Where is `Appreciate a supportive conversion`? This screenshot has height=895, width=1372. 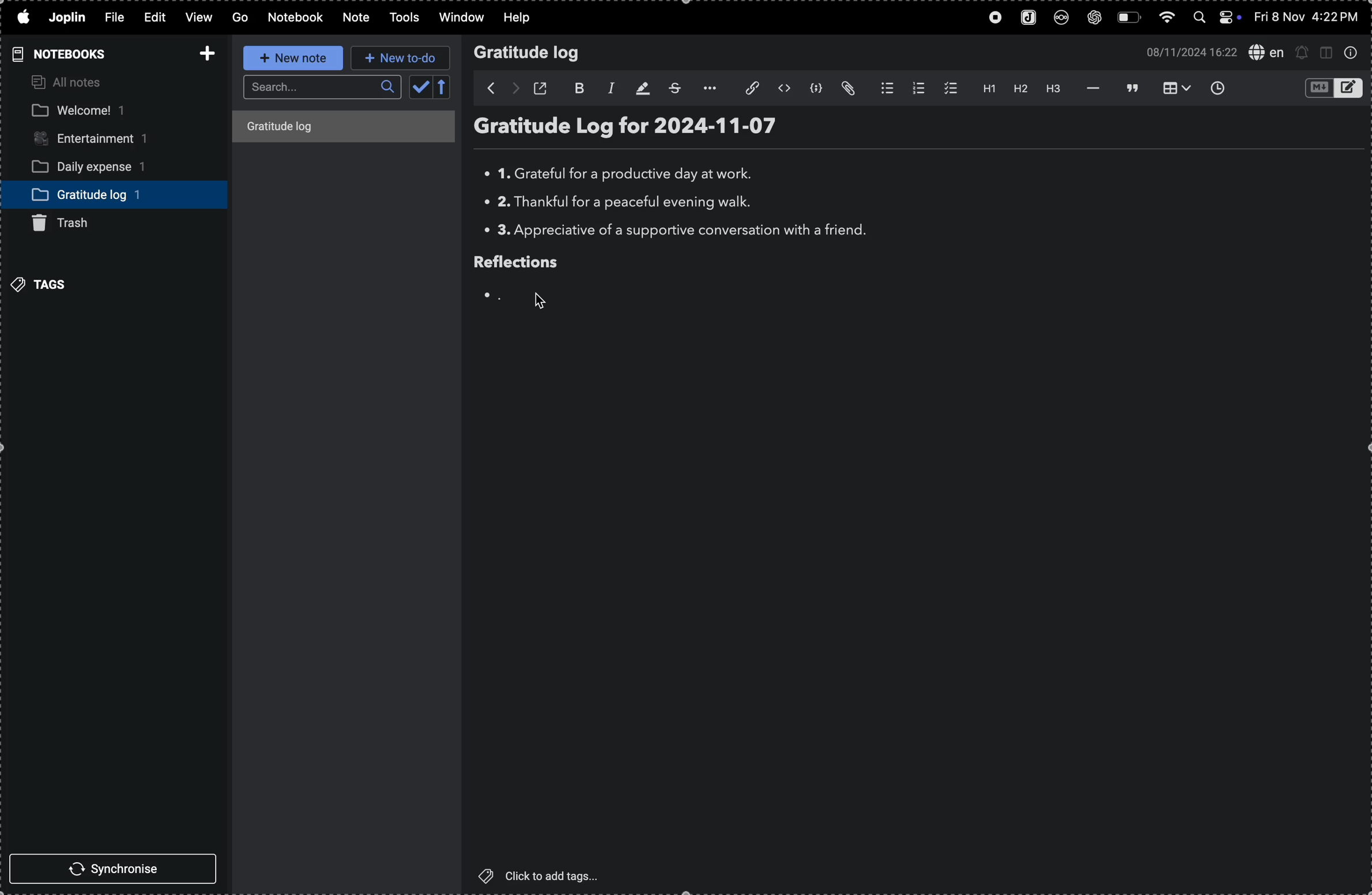 Appreciate a supportive conversion is located at coordinates (678, 231).